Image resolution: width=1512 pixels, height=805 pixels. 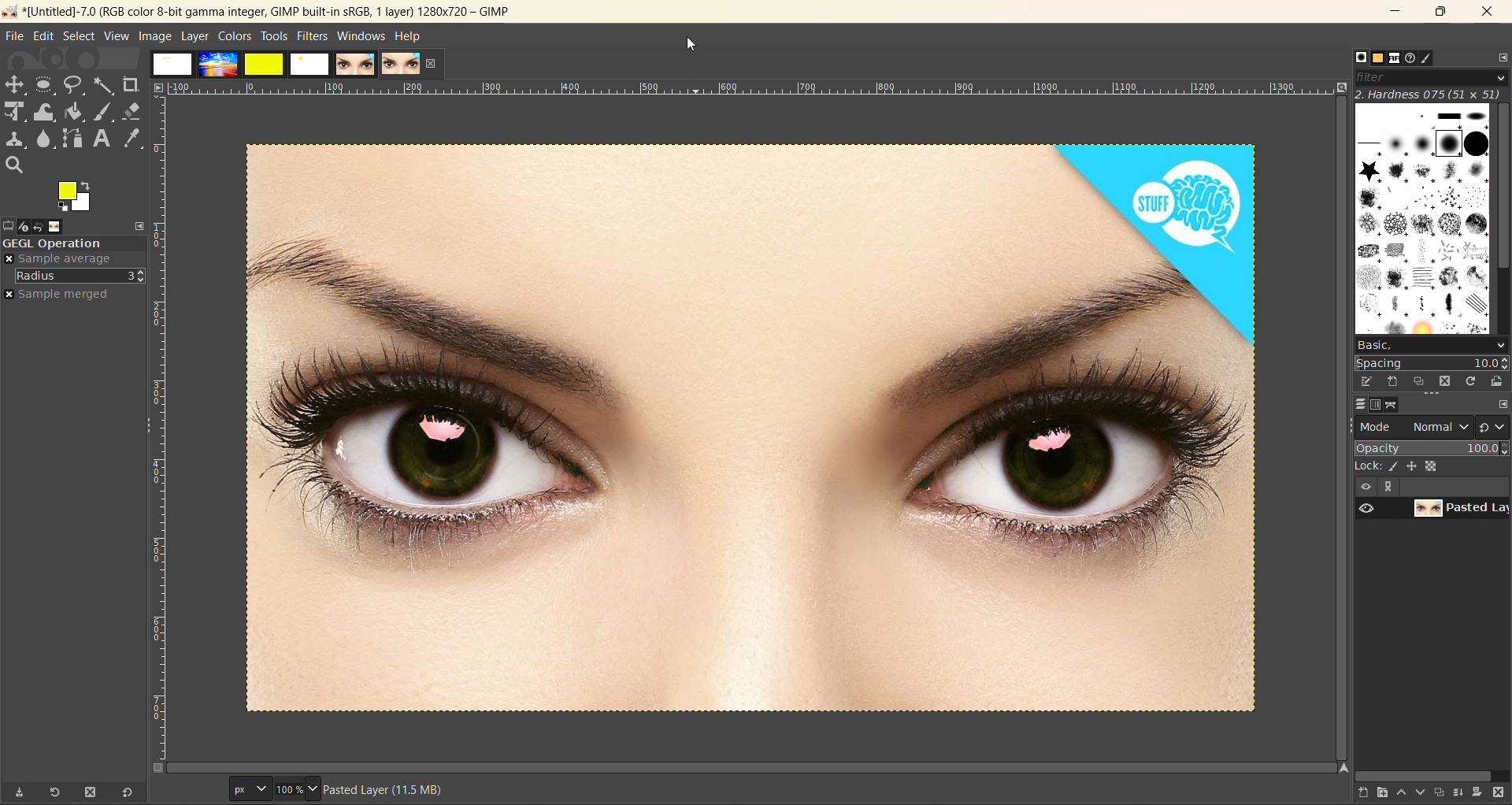 What do you see at coordinates (53, 793) in the screenshot?
I see `refresh tool preset` at bounding box center [53, 793].